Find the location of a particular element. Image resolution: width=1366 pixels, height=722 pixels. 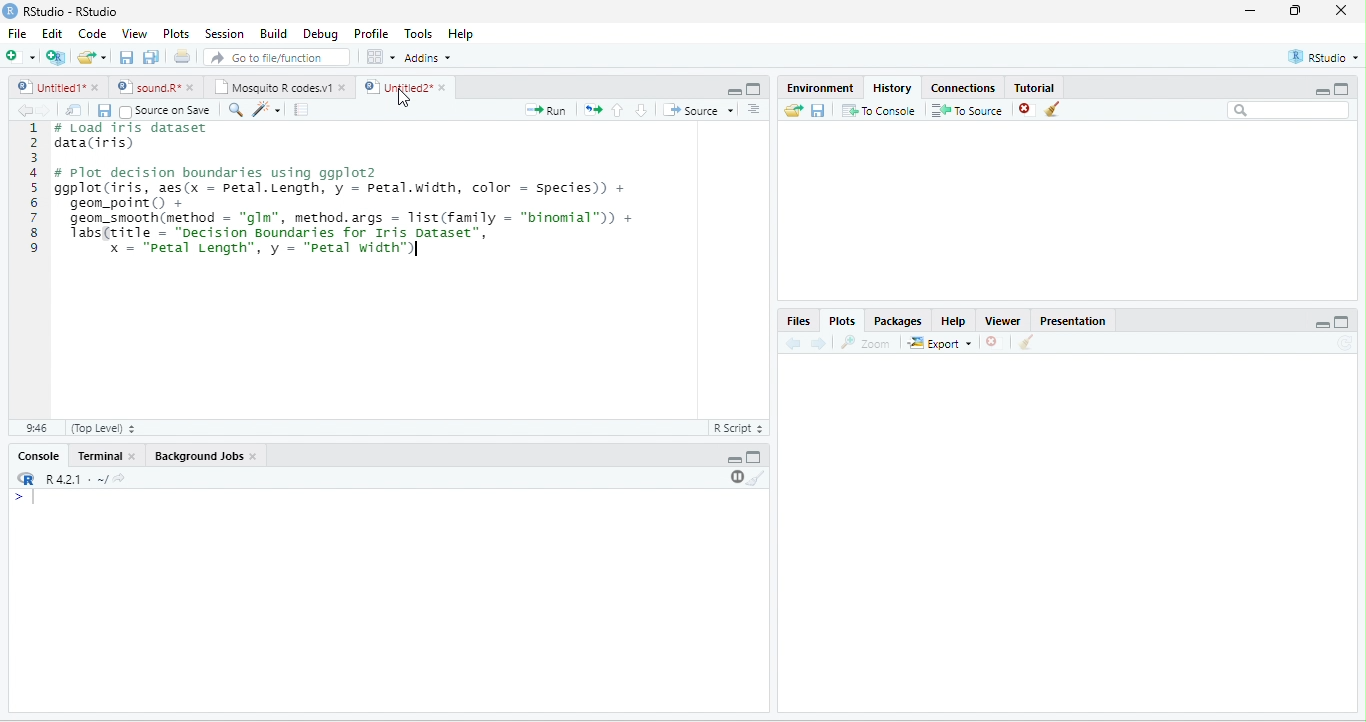

new project is located at coordinates (56, 58).